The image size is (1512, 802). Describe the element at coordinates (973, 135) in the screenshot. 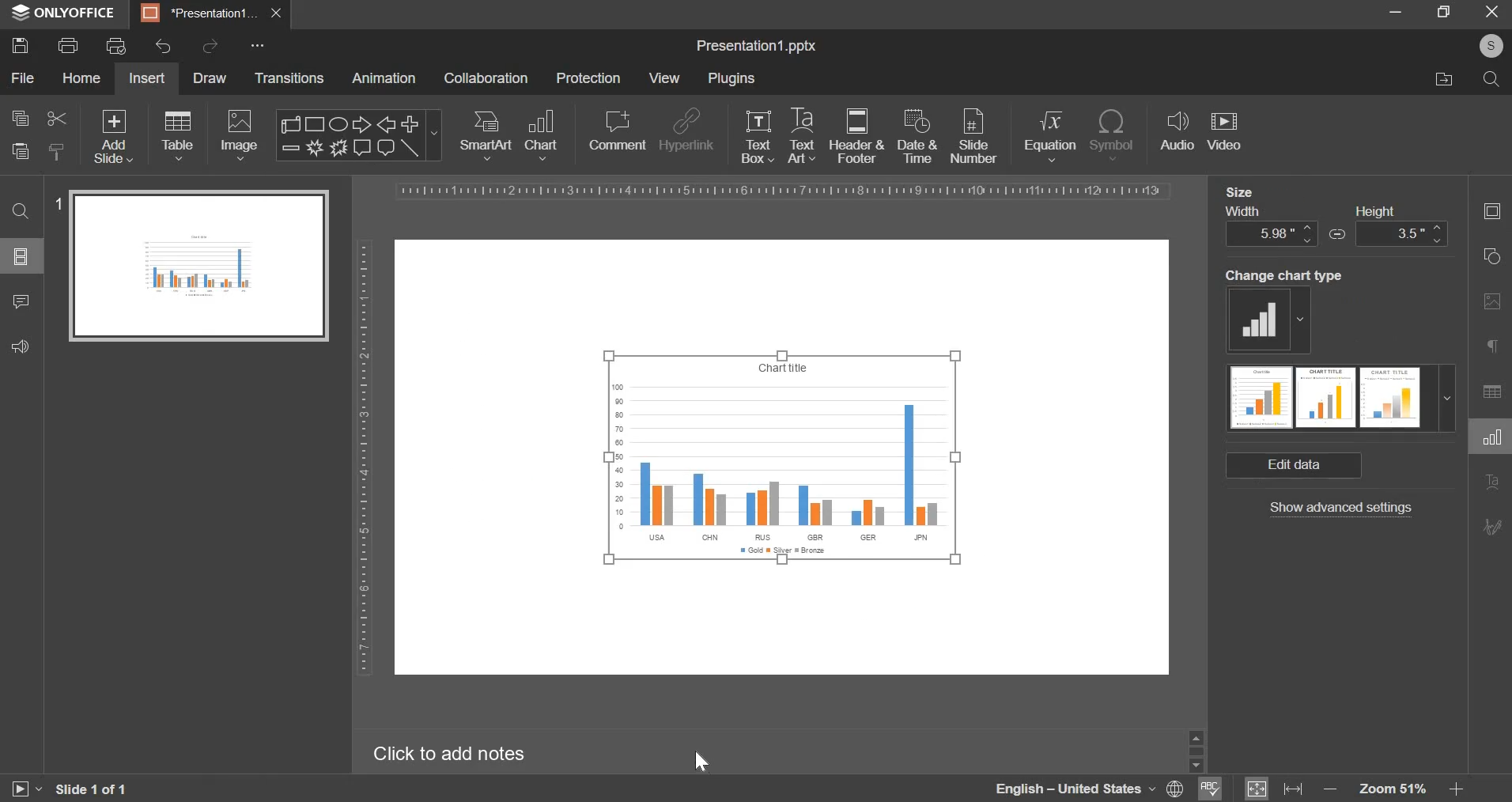

I see `slide number` at that location.